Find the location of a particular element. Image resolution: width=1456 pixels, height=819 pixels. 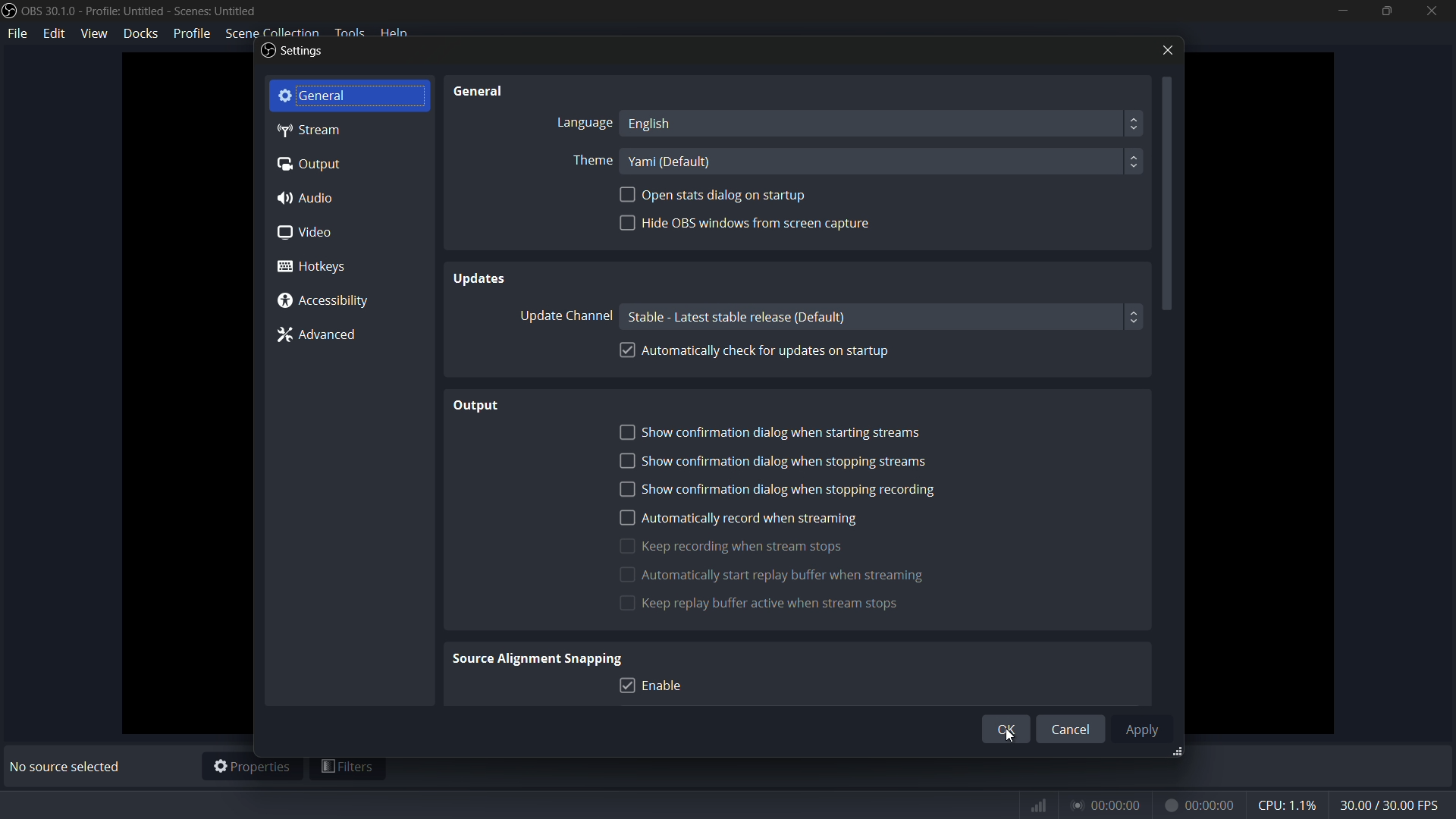

close is located at coordinates (1429, 13).